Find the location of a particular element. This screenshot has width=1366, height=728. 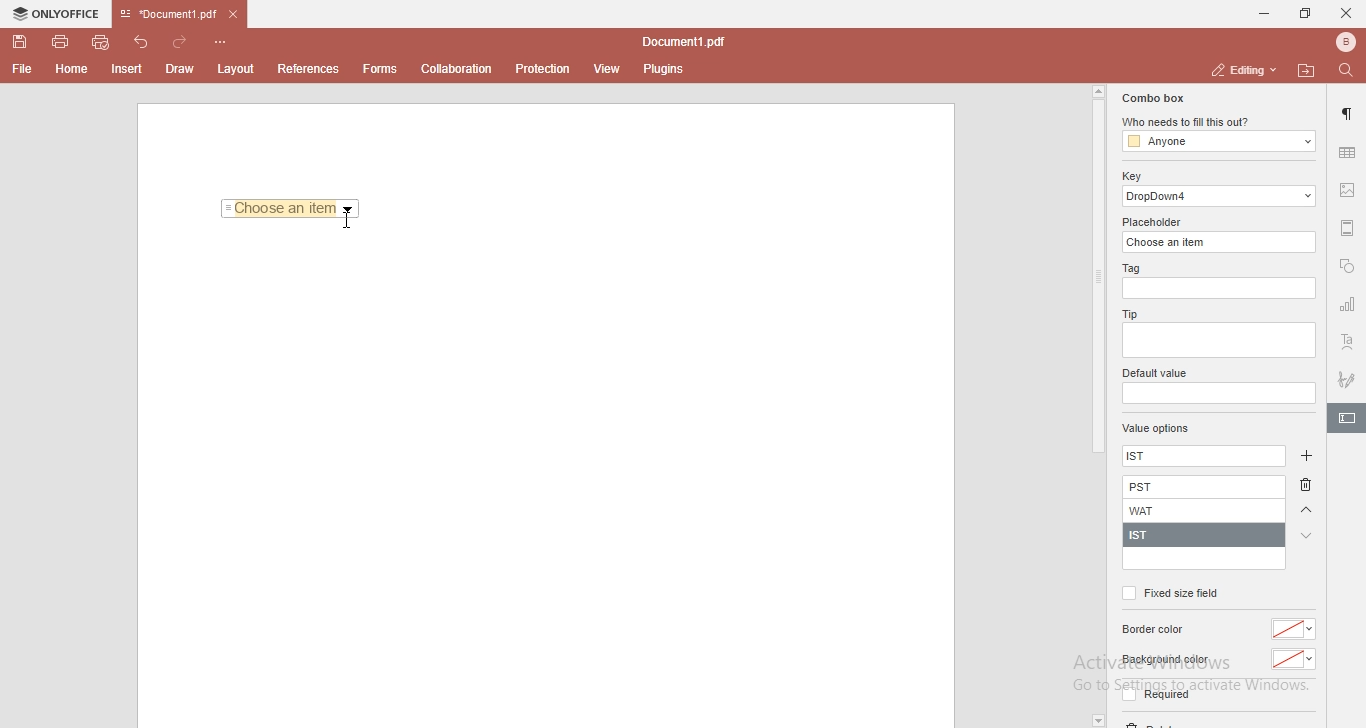

close is located at coordinates (1346, 12).